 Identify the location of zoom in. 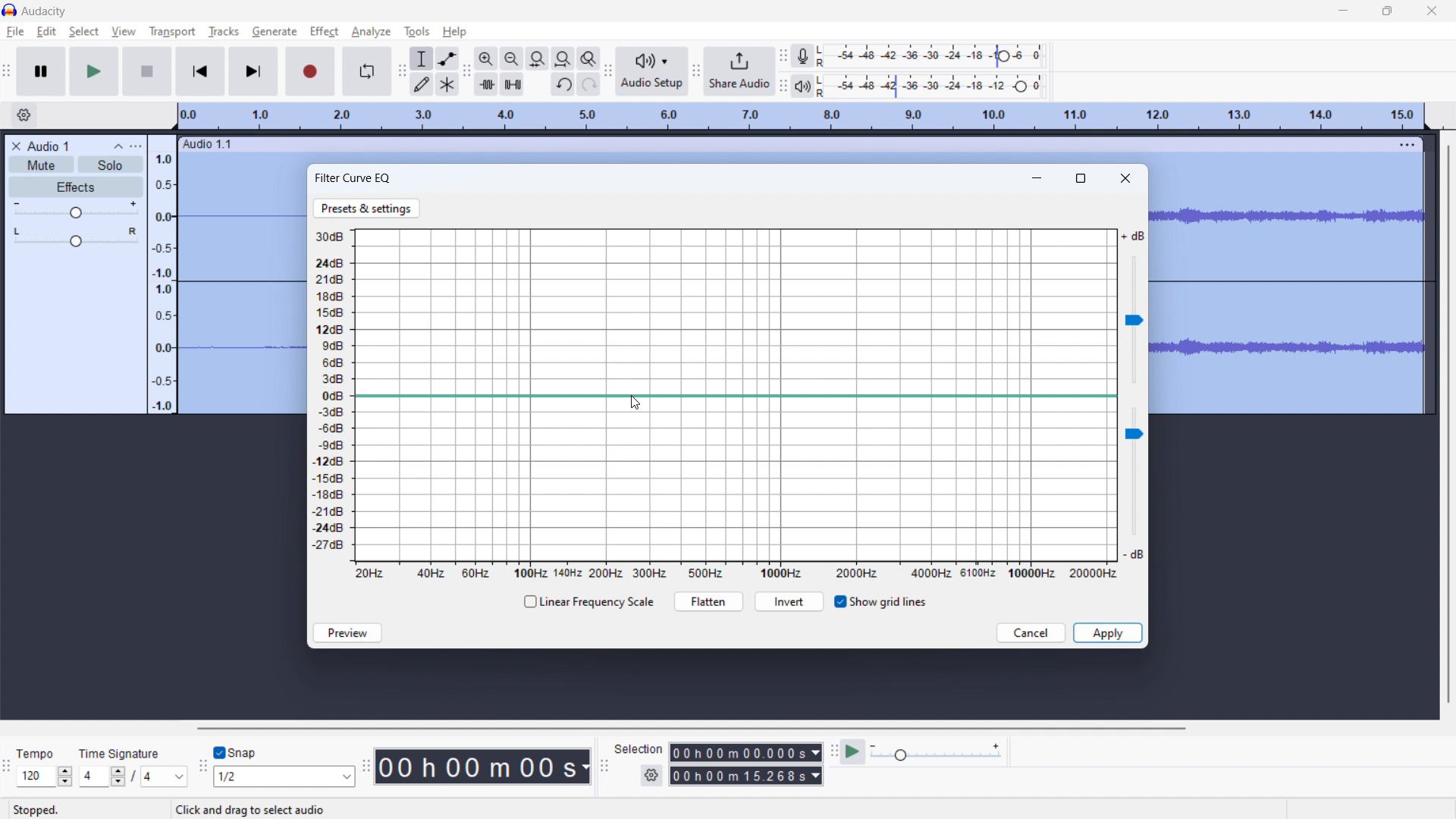
(486, 58).